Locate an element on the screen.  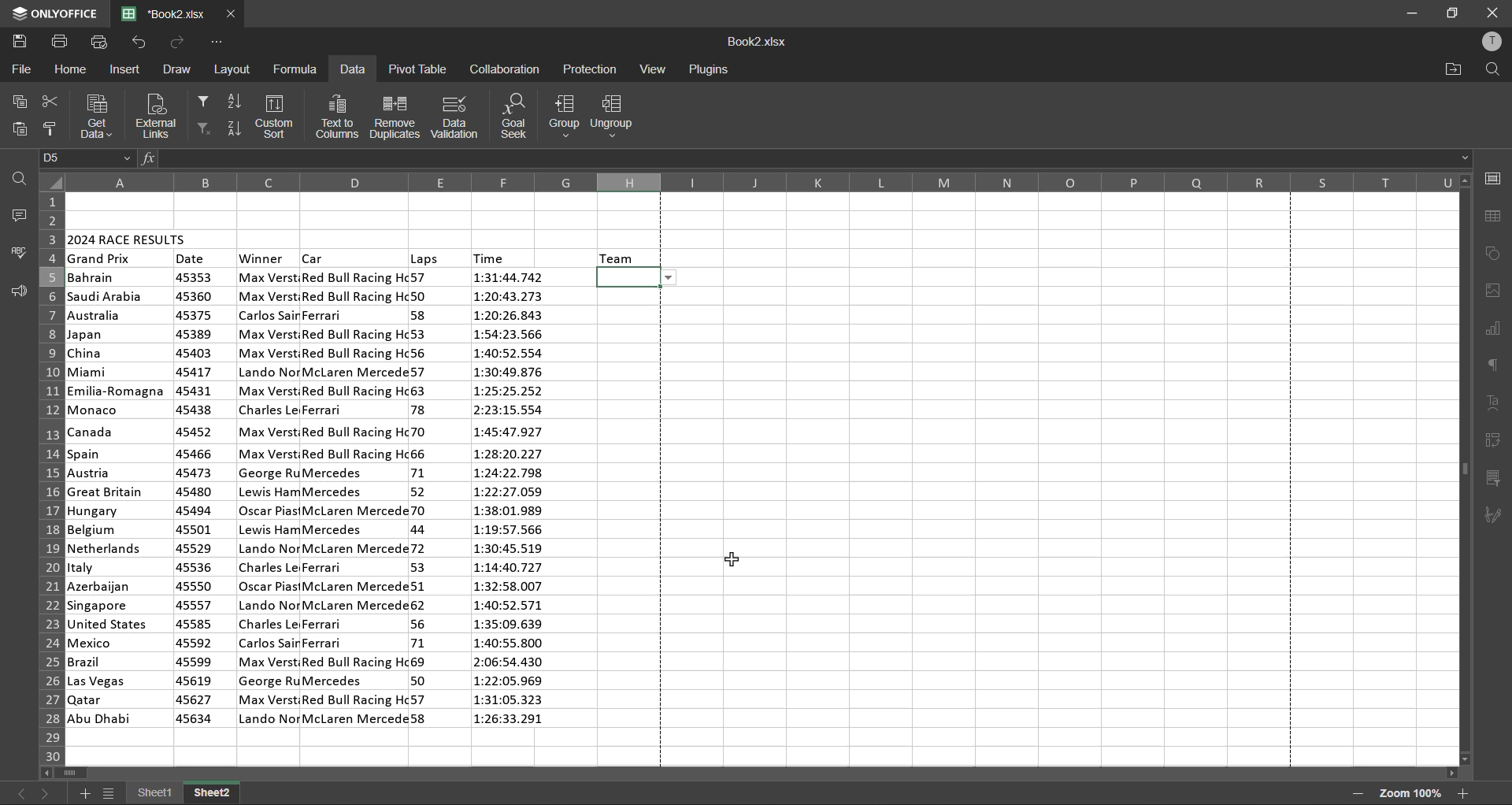
copy style is located at coordinates (53, 129).